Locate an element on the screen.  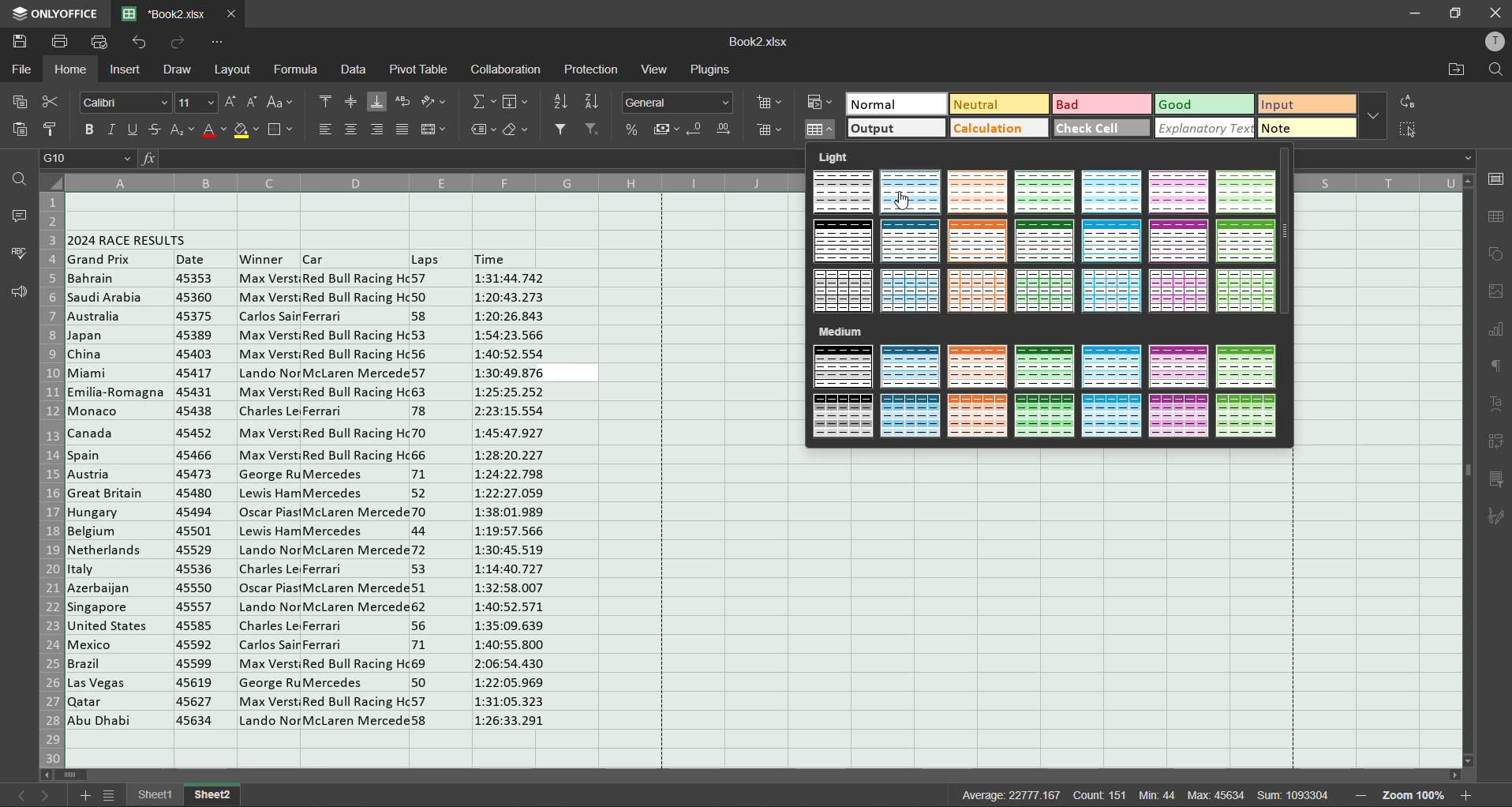
underline is located at coordinates (133, 131).